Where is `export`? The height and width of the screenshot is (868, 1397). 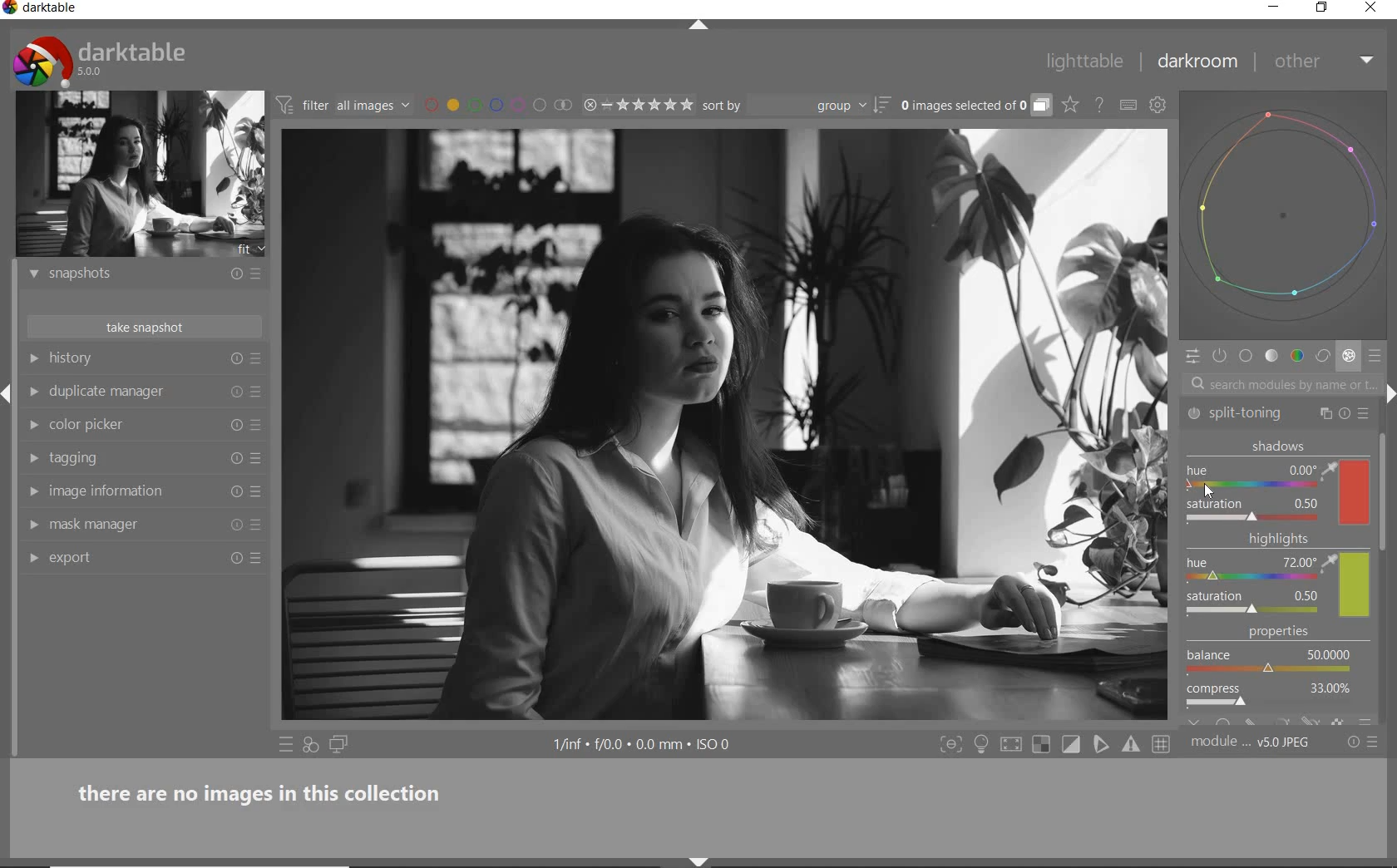 export is located at coordinates (133, 556).